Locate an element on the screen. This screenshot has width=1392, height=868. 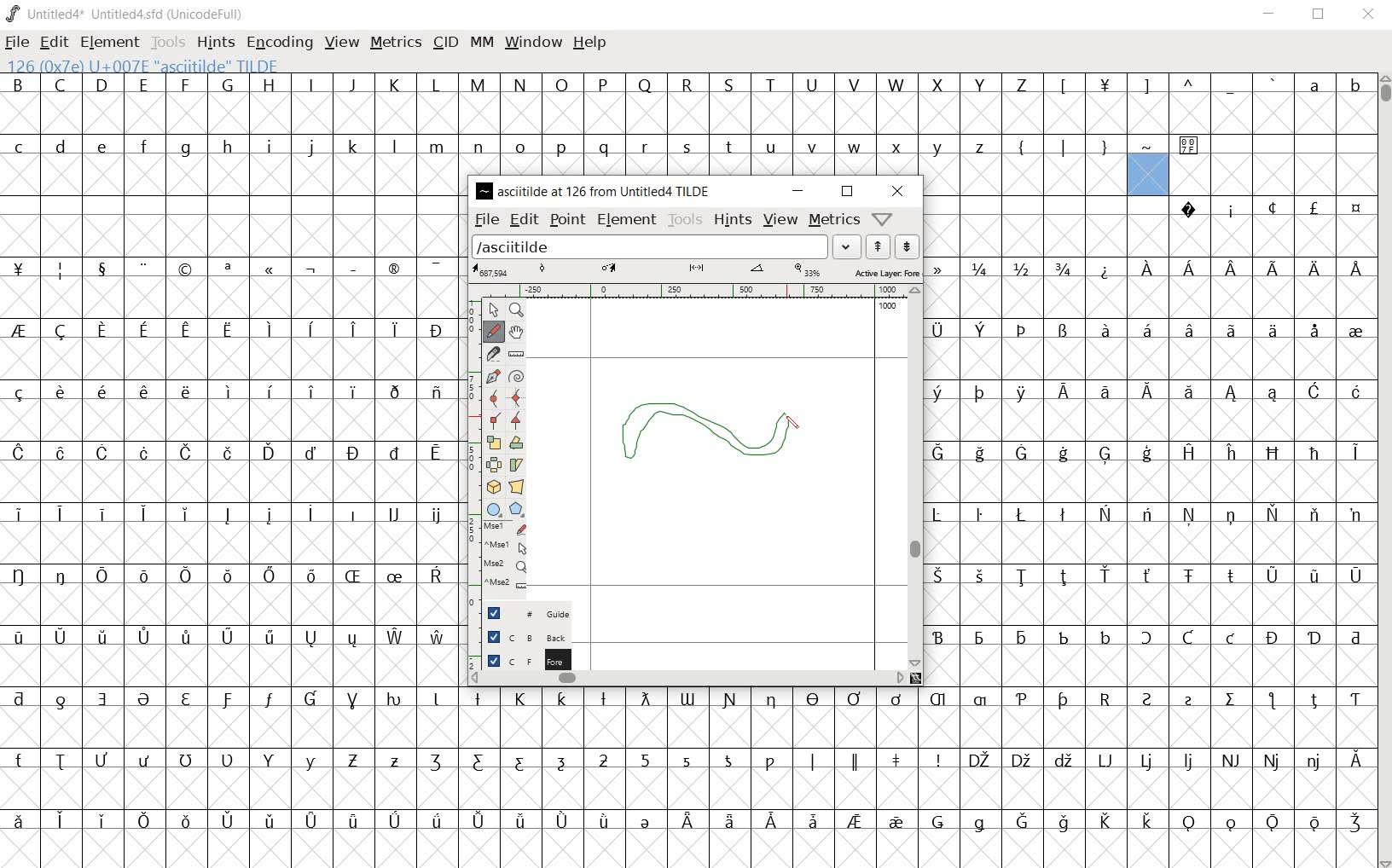
glyph characters is located at coordinates (919, 104).